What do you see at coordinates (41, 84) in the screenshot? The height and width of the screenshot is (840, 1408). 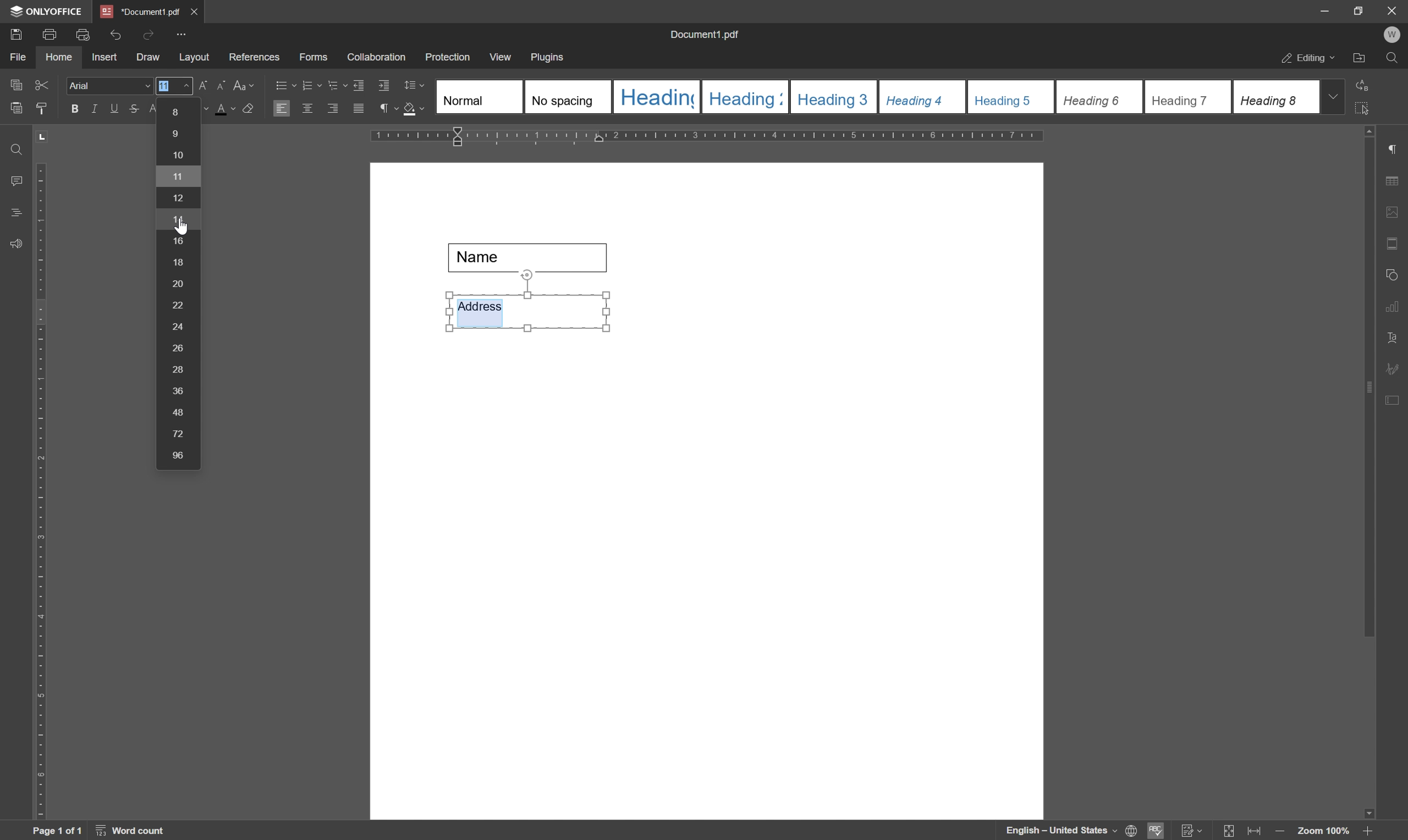 I see `cut` at bounding box center [41, 84].